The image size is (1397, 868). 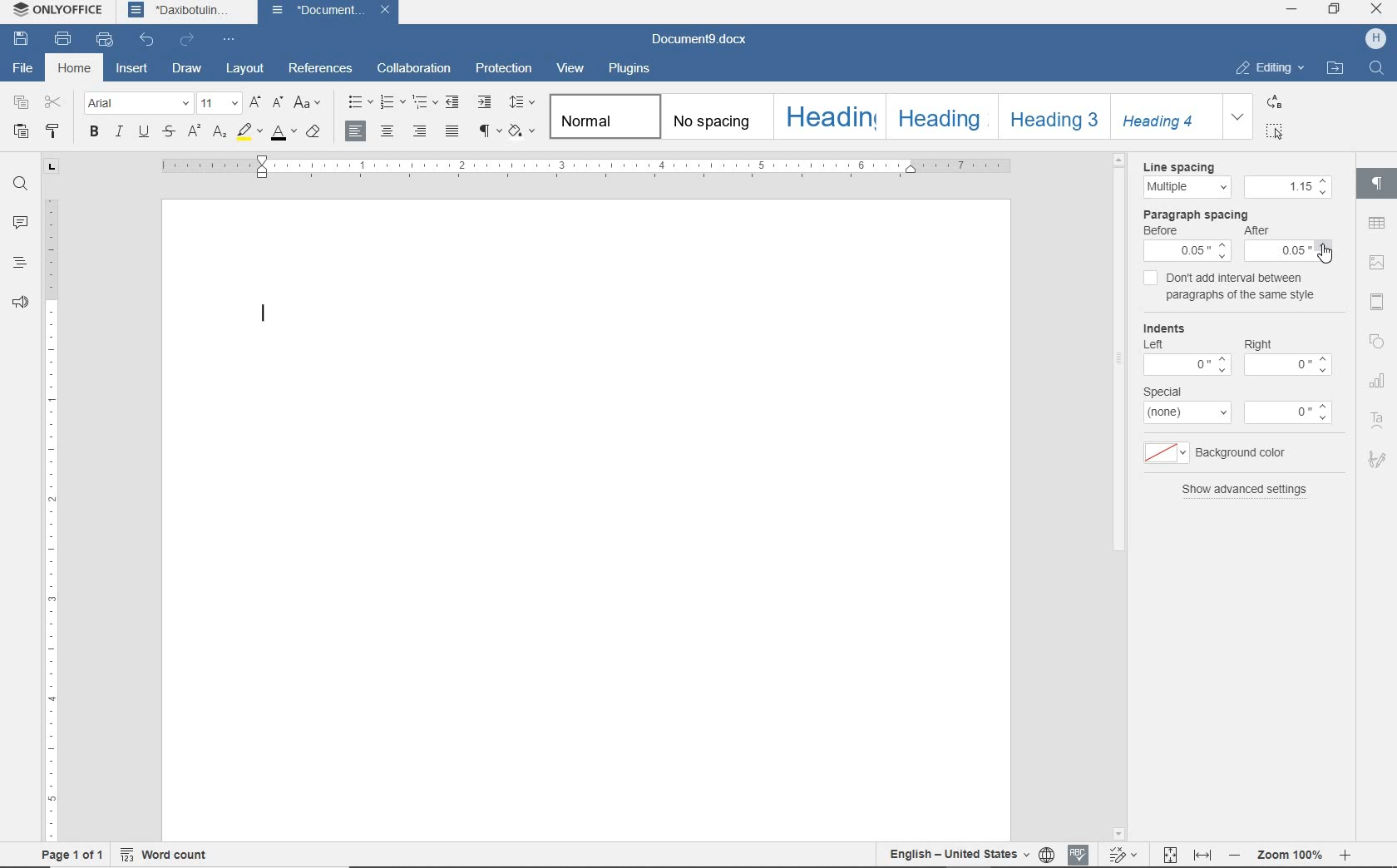 What do you see at coordinates (73, 67) in the screenshot?
I see `home` at bounding box center [73, 67].